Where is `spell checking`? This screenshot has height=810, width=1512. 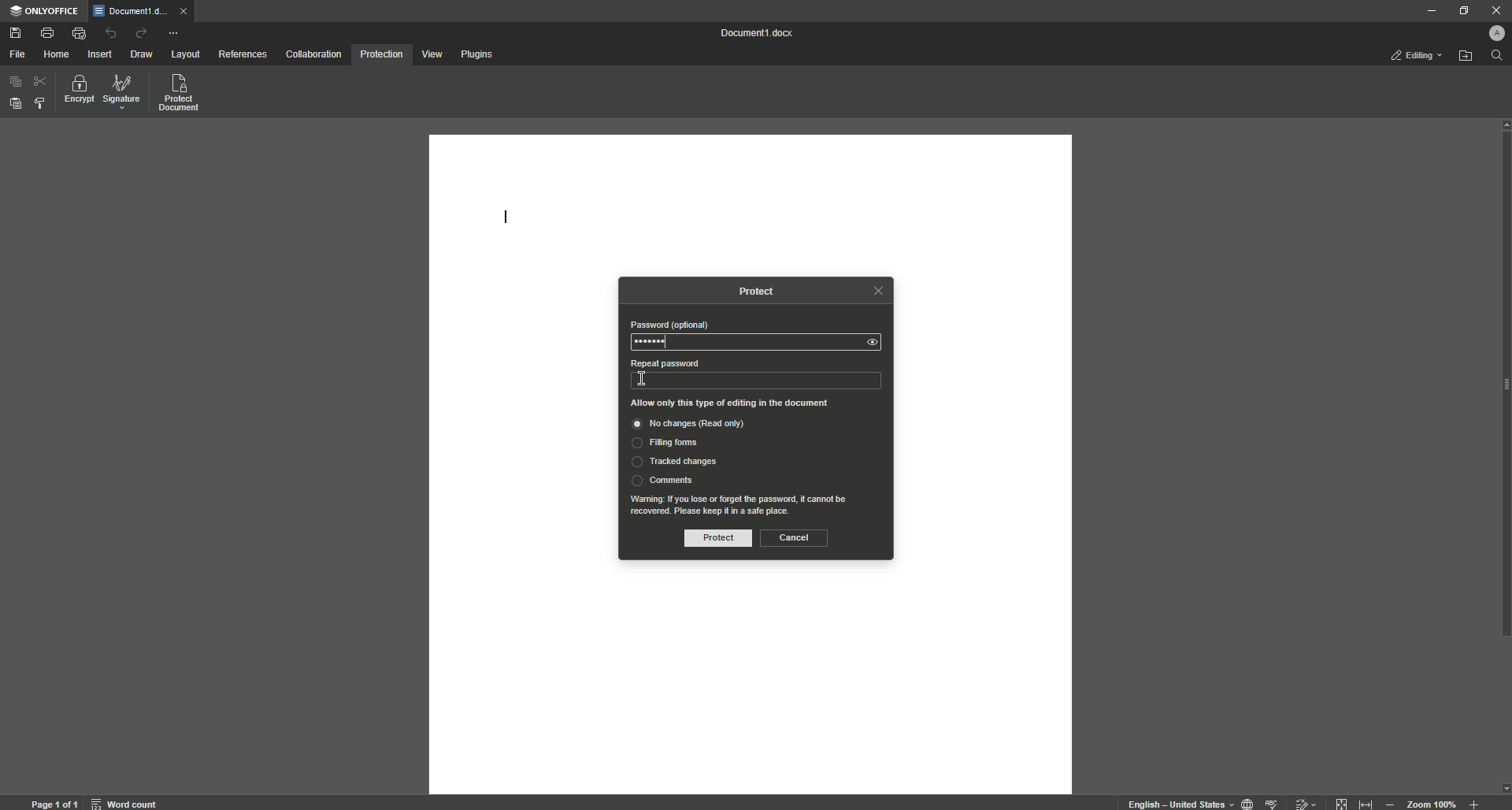 spell checking is located at coordinates (1273, 802).